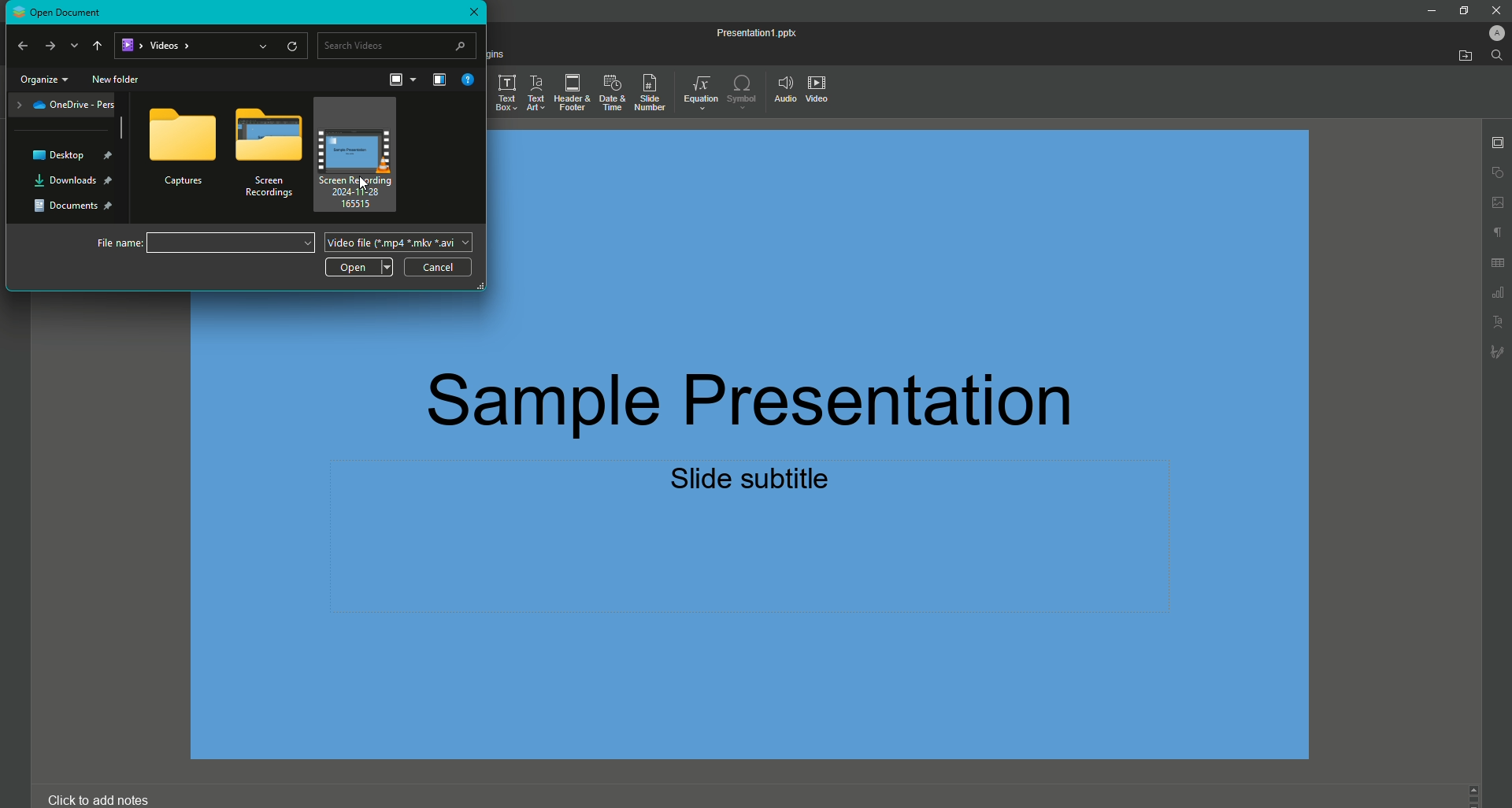 The width and height of the screenshot is (1512, 808). What do you see at coordinates (1499, 321) in the screenshot?
I see `Text settings` at bounding box center [1499, 321].